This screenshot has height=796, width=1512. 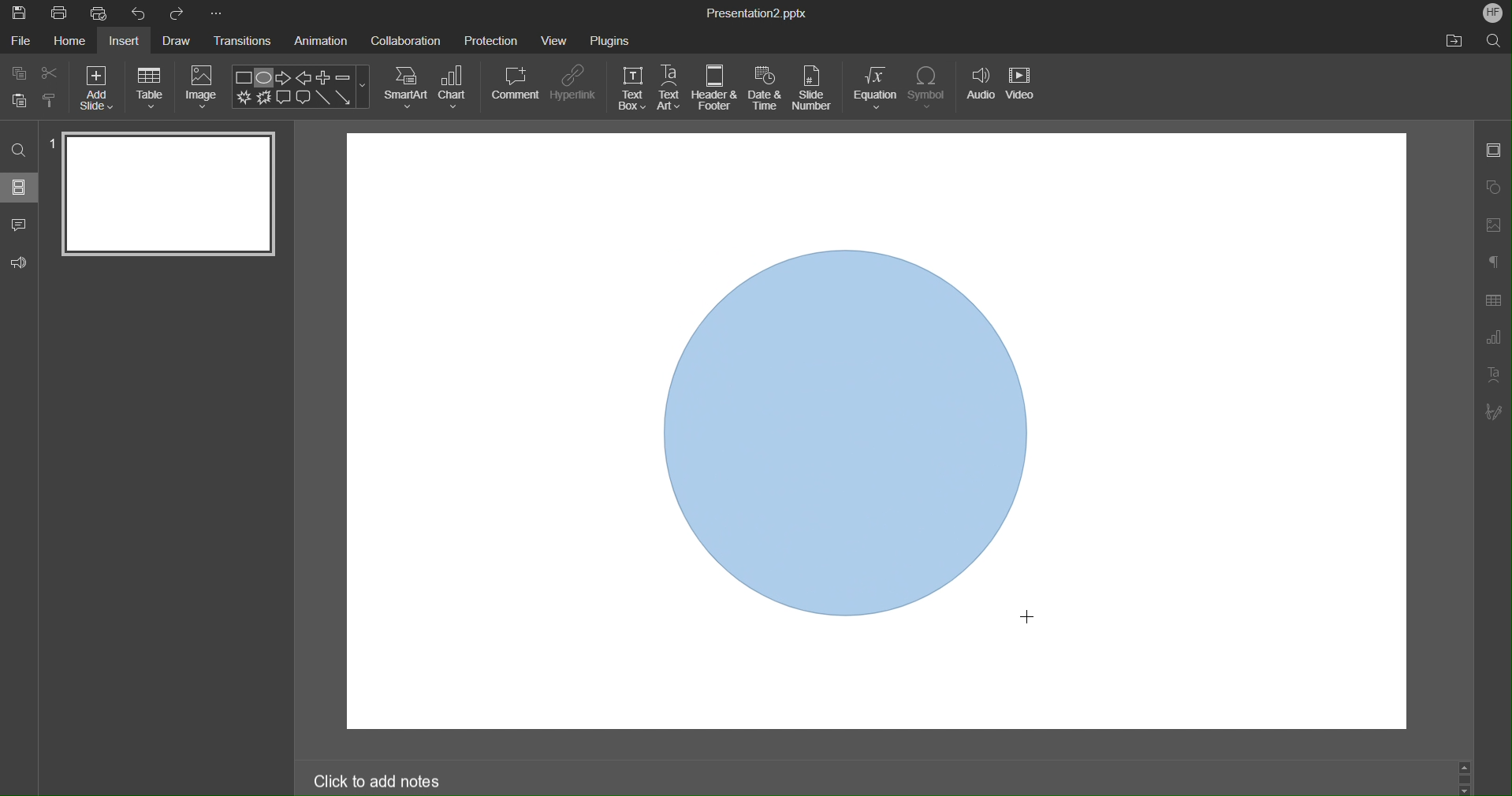 What do you see at coordinates (180, 41) in the screenshot?
I see `Draw` at bounding box center [180, 41].